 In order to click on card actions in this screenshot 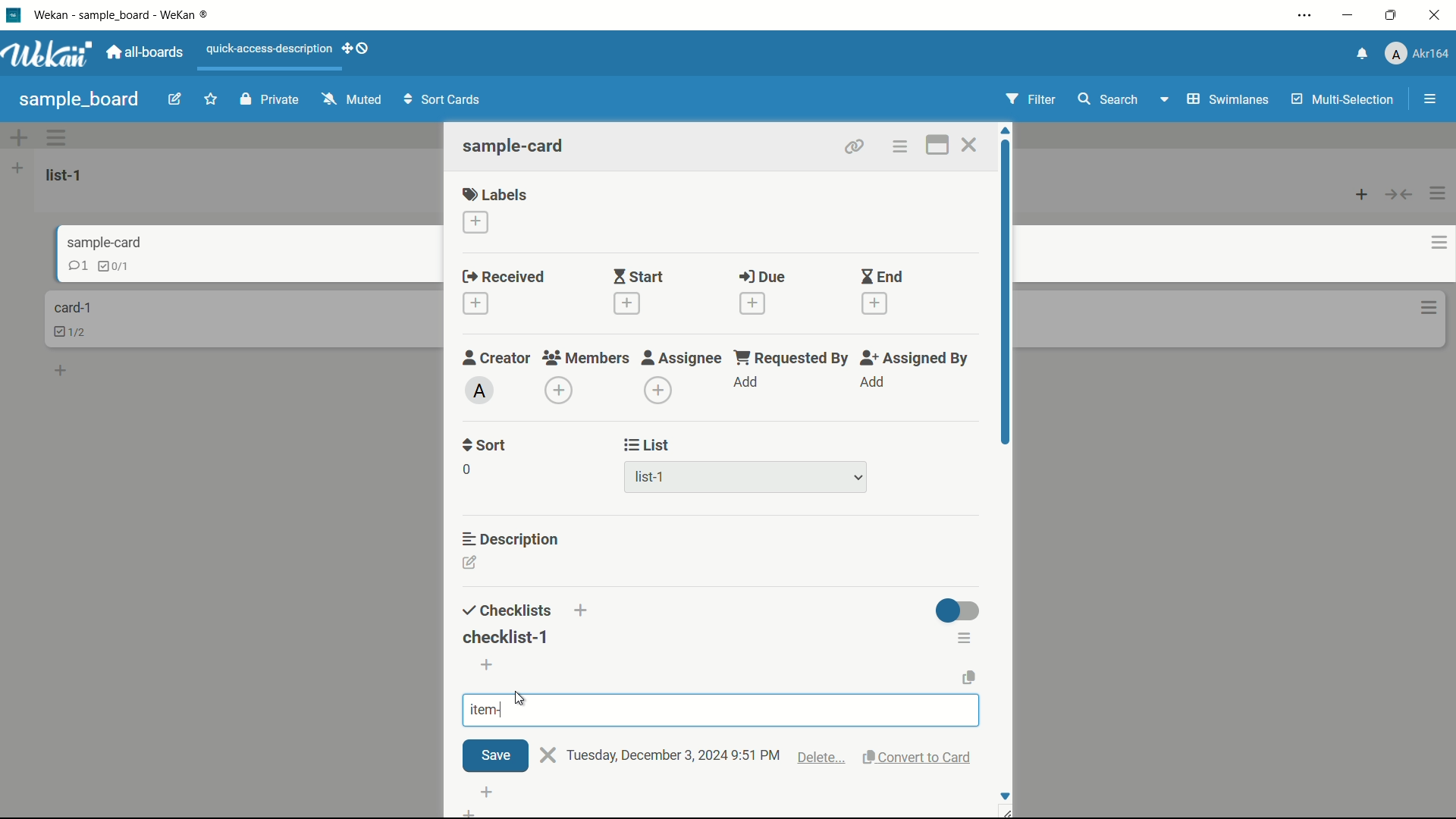, I will do `click(1428, 243)`.